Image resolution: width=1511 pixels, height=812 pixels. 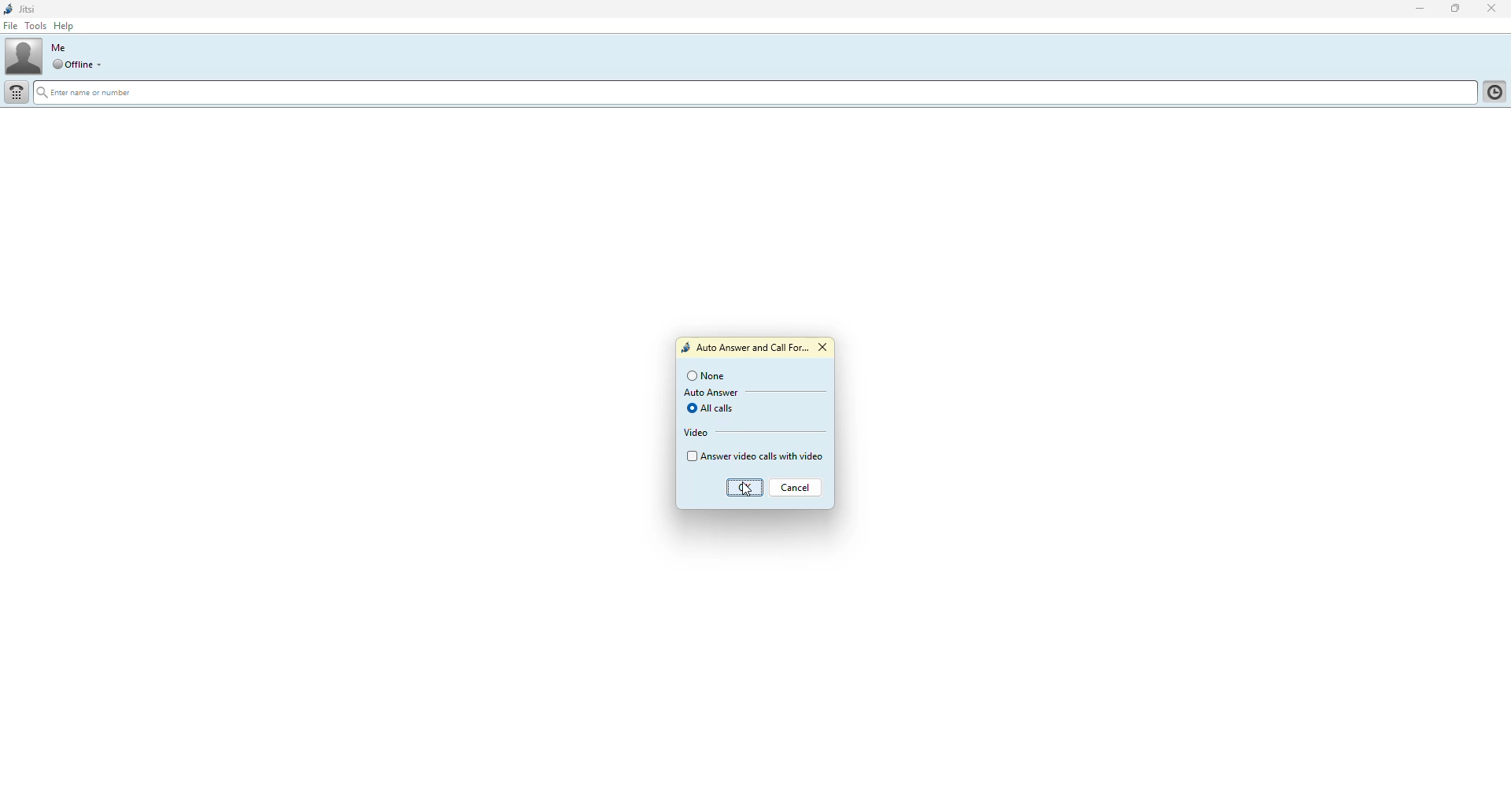 What do you see at coordinates (24, 55) in the screenshot?
I see `profile` at bounding box center [24, 55].